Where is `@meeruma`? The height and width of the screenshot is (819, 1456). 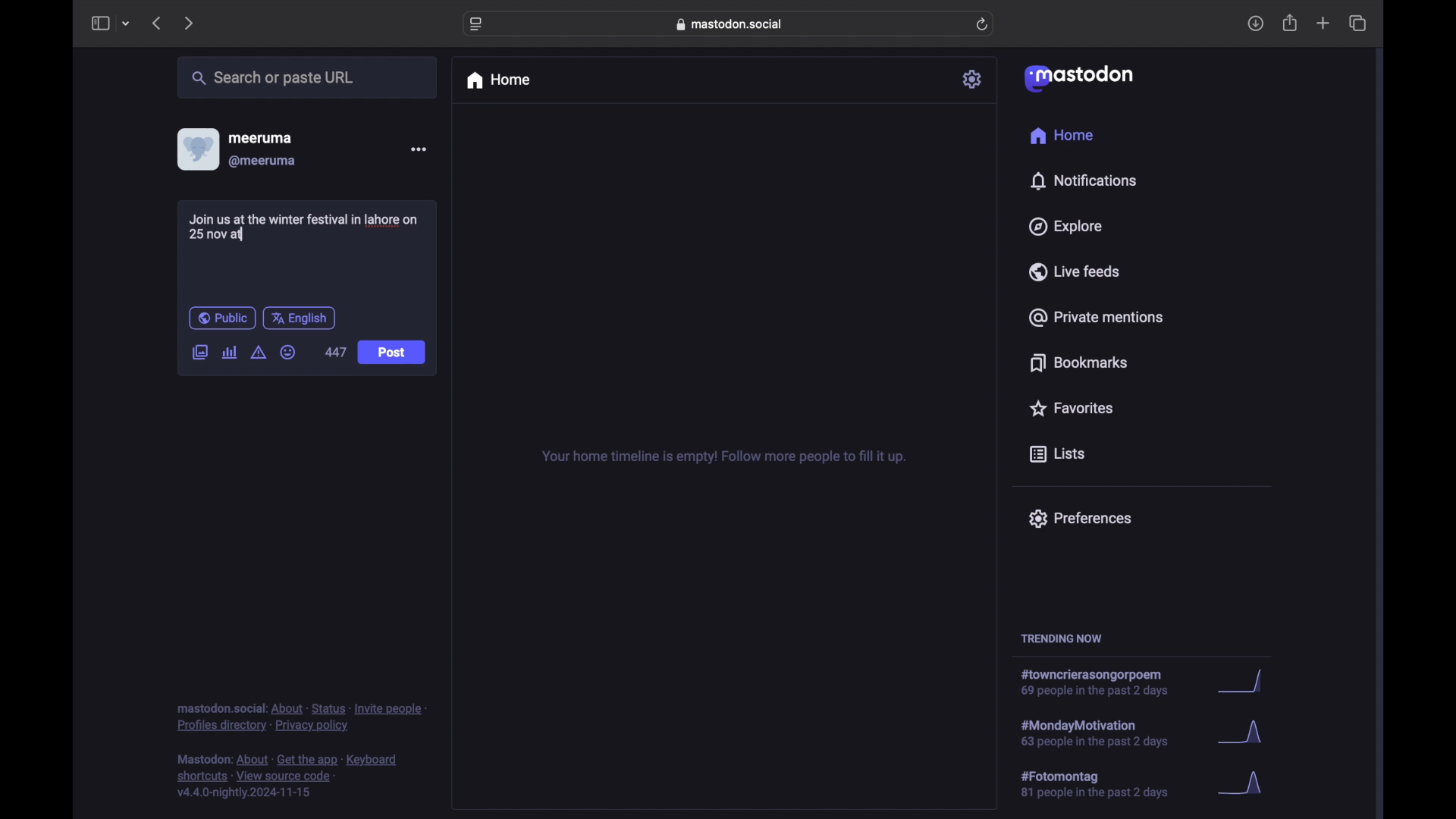
@meeruma is located at coordinates (262, 162).